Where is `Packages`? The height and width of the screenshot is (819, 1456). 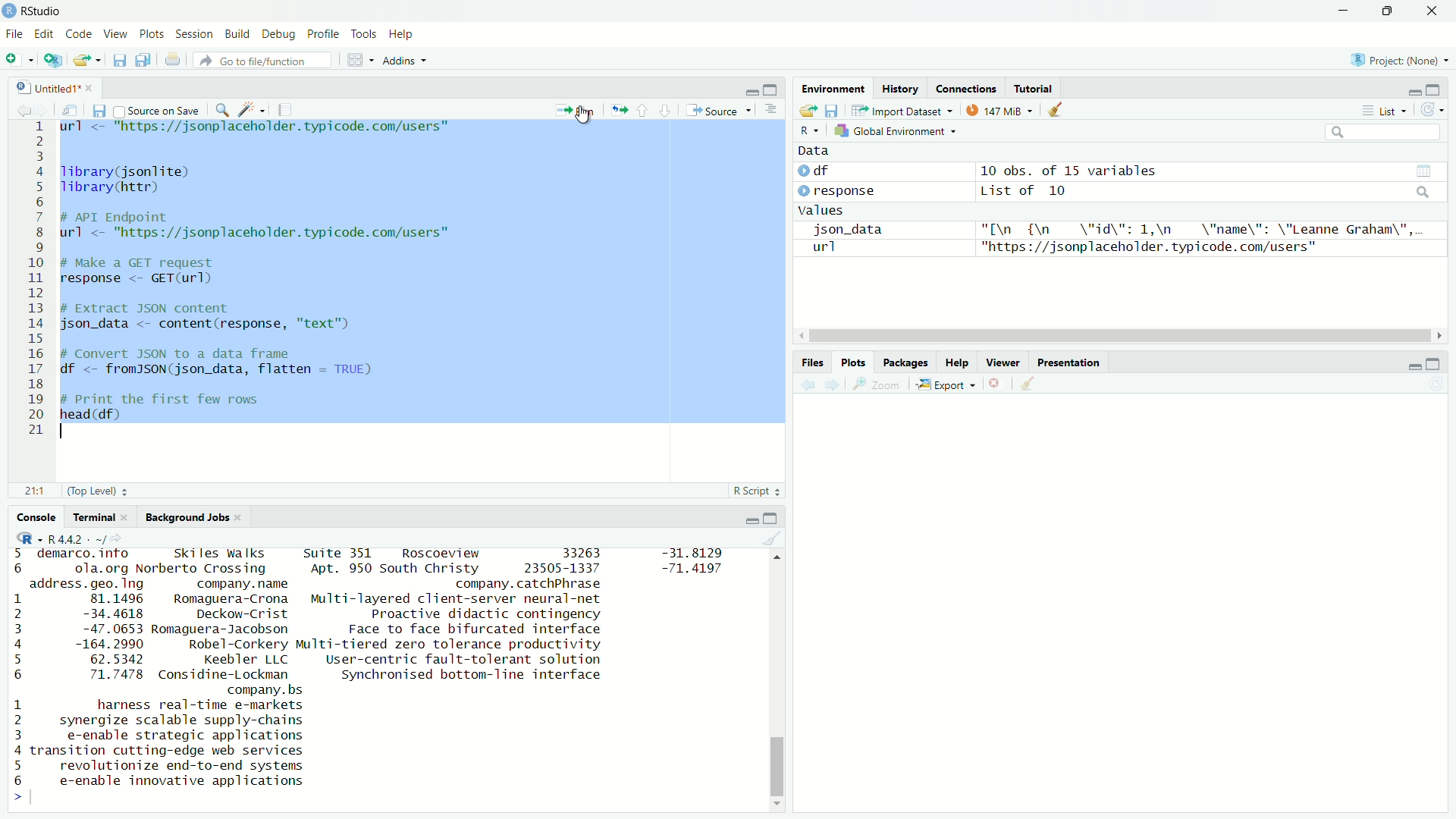 Packages is located at coordinates (907, 364).